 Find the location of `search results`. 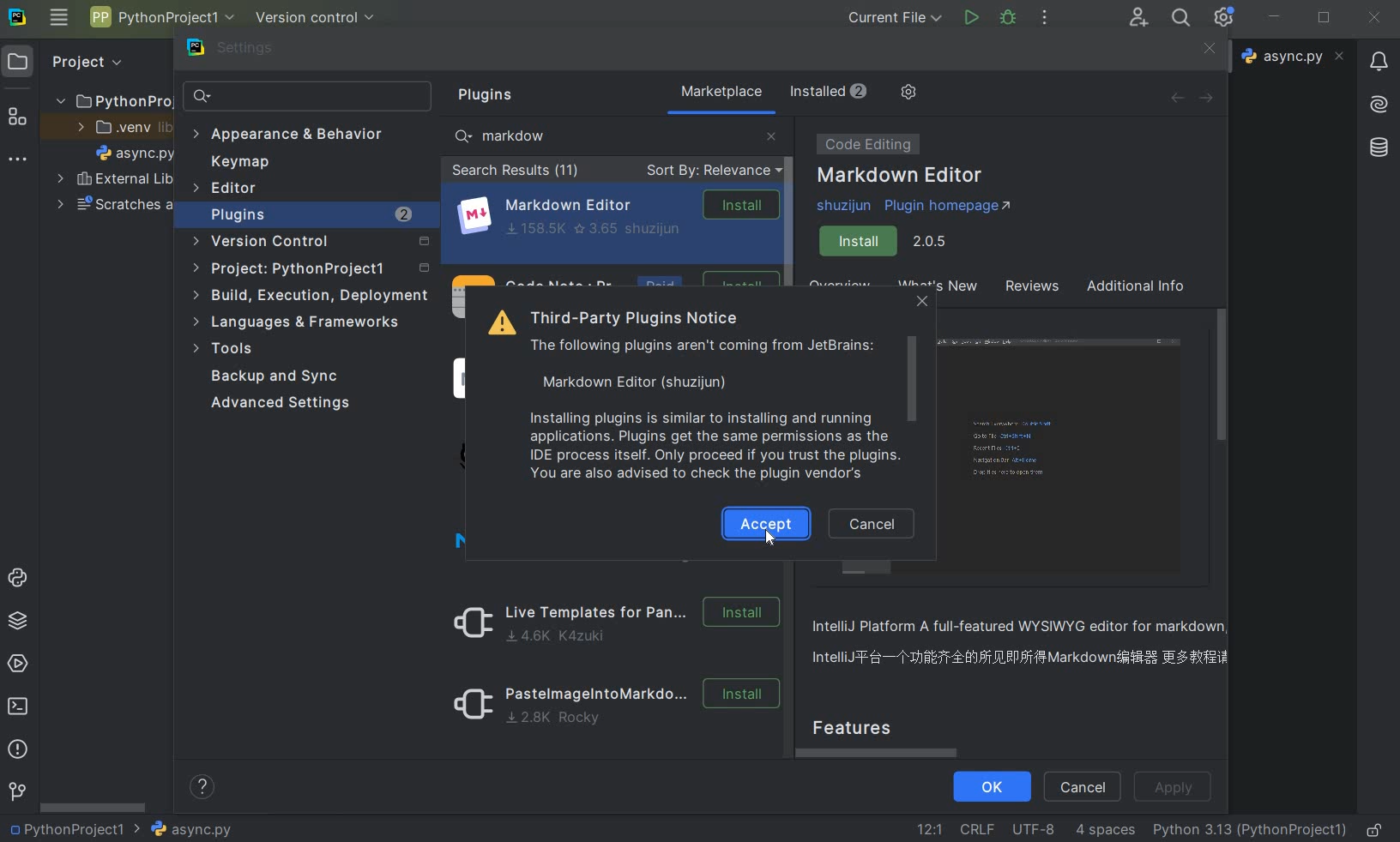

search results is located at coordinates (516, 172).